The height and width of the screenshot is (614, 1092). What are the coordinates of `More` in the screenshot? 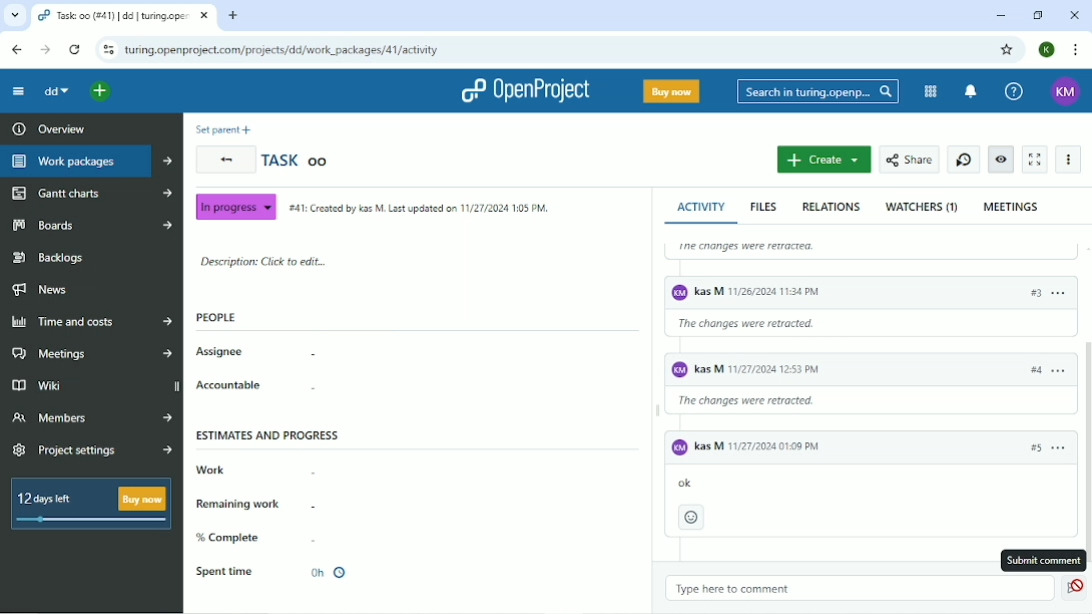 It's located at (1069, 159).